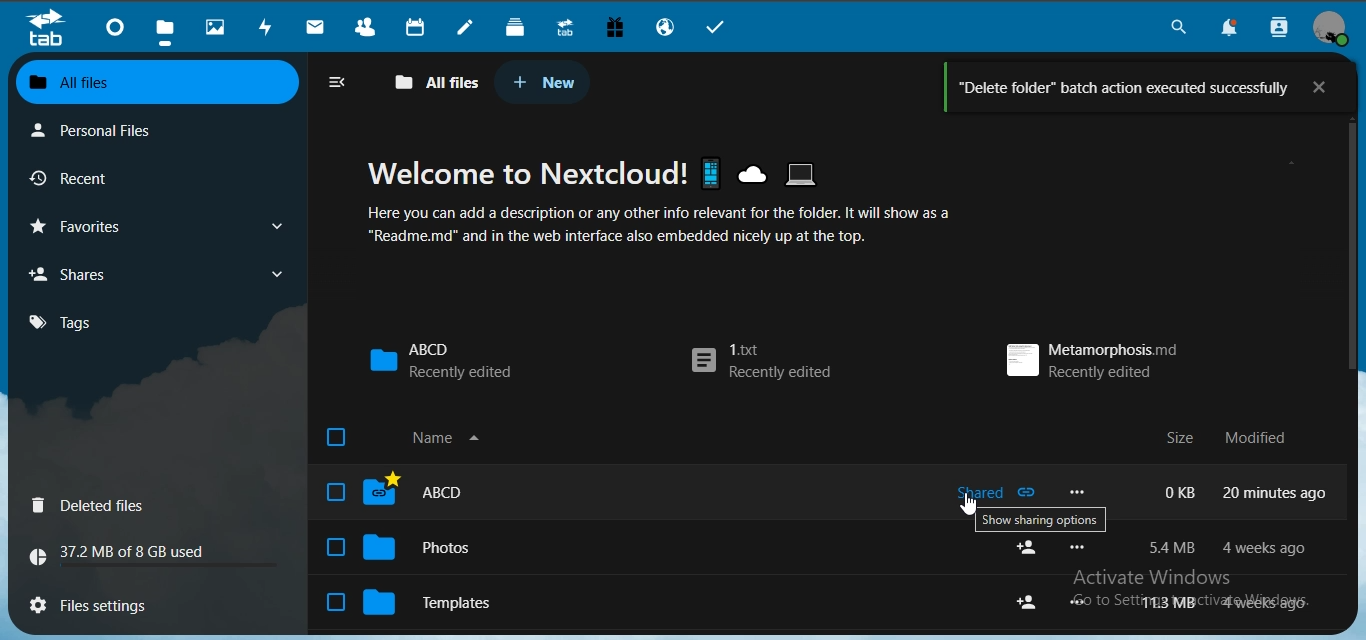 This screenshot has height=640, width=1366. Describe the element at coordinates (1181, 491) in the screenshot. I see `0 kb` at that location.